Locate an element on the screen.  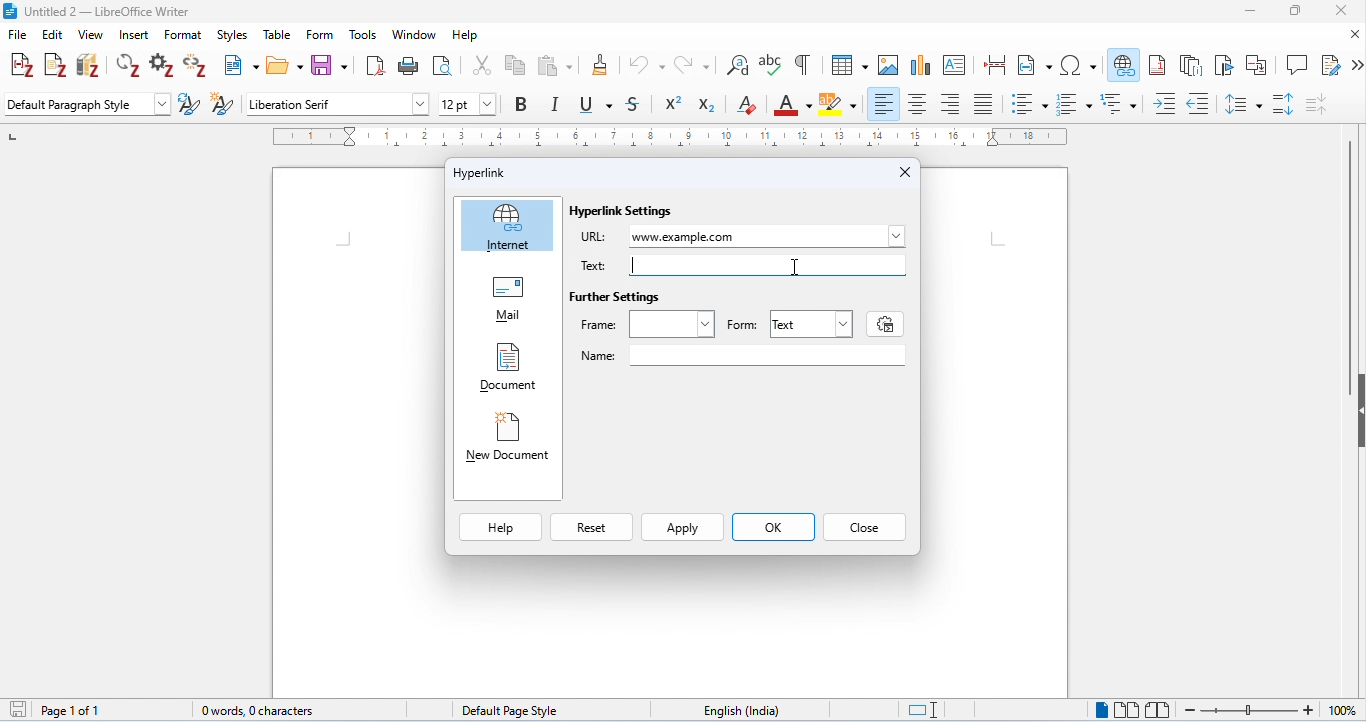
minimize is located at coordinates (1248, 12).